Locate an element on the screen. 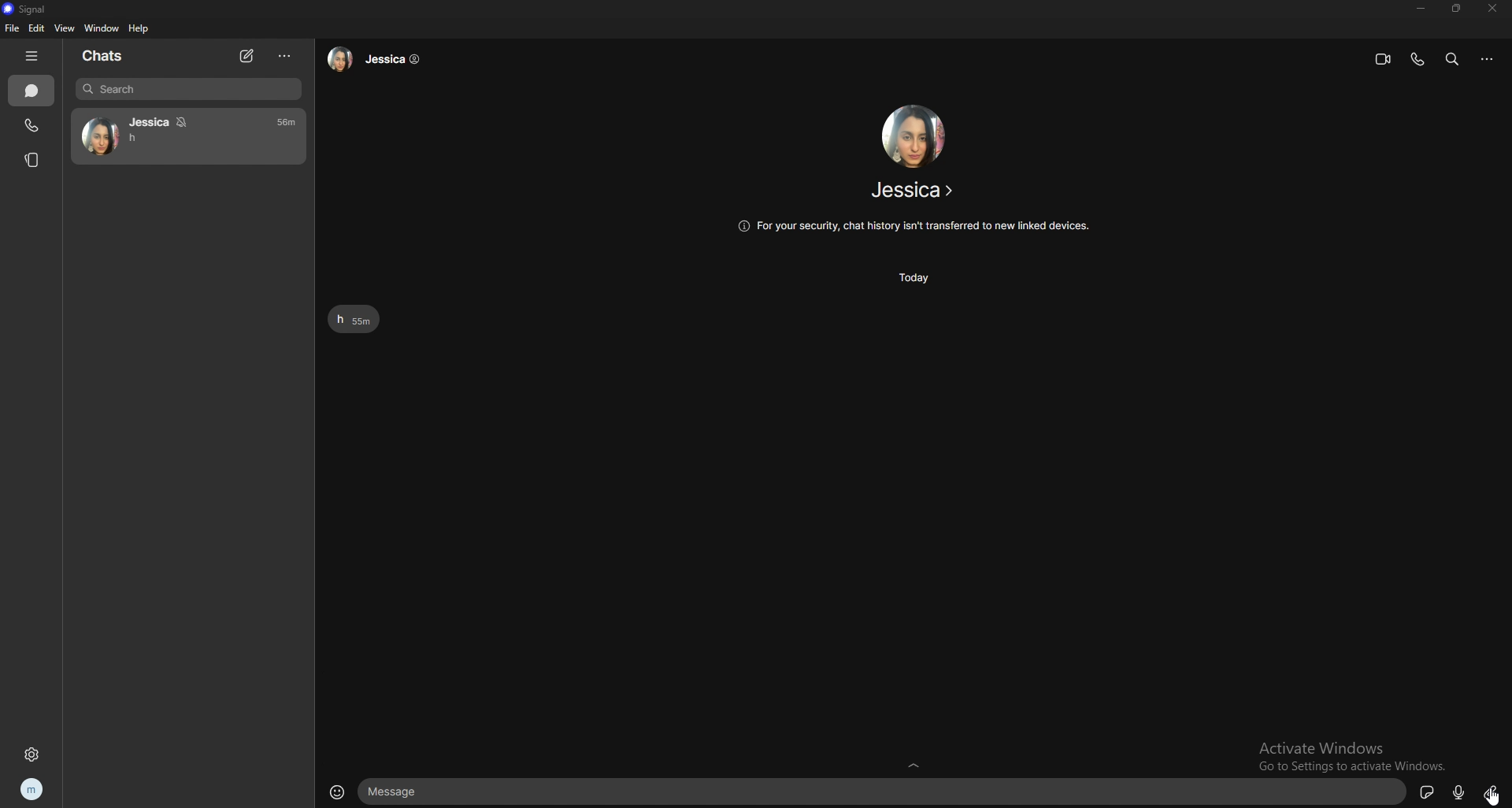 Image resolution: width=1512 pixels, height=808 pixels. search bar is located at coordinates (1453, 59).